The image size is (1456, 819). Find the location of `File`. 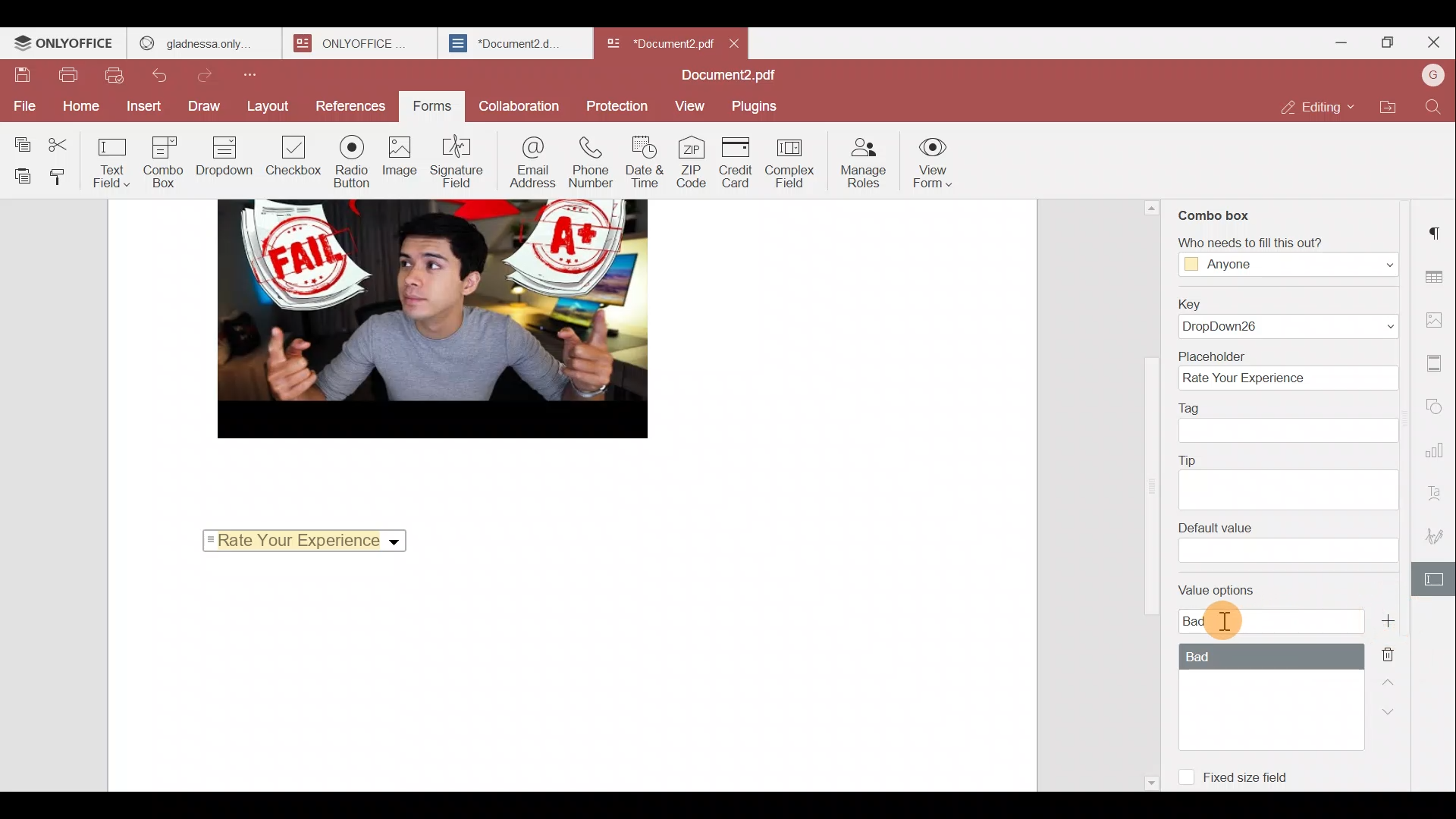

File is located at coordinates (21, 105).